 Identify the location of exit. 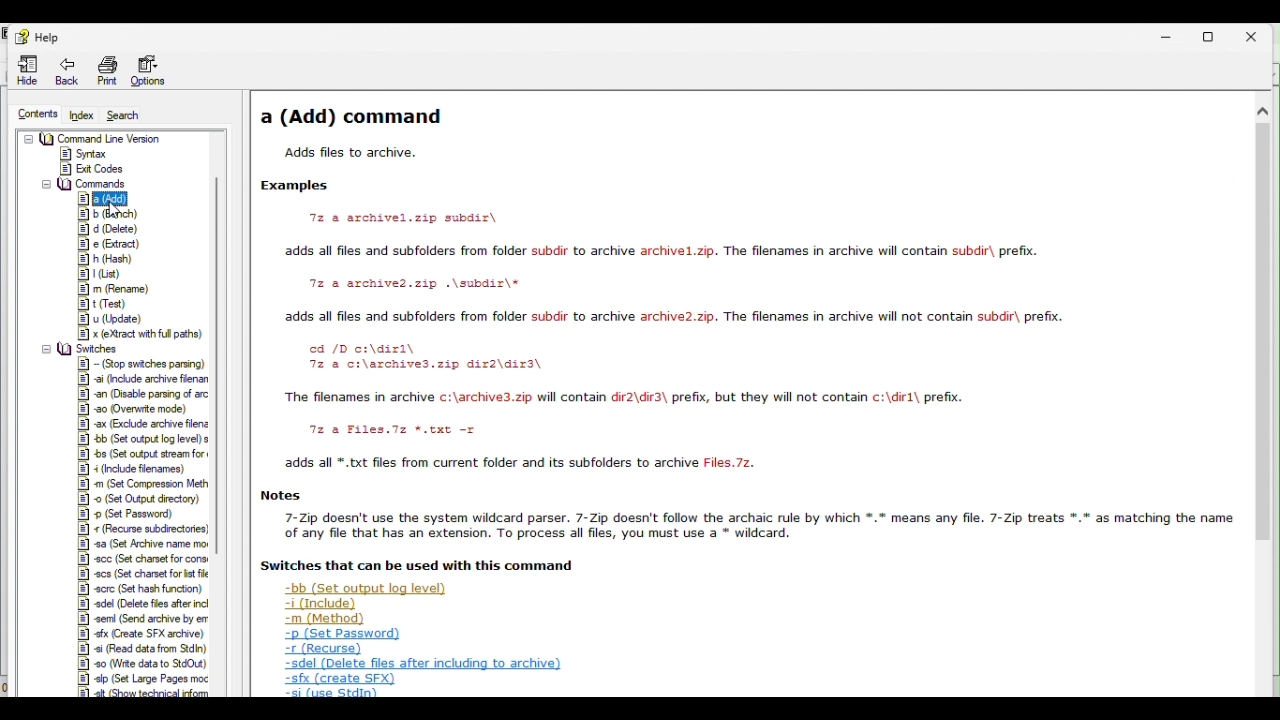
(91, 168).